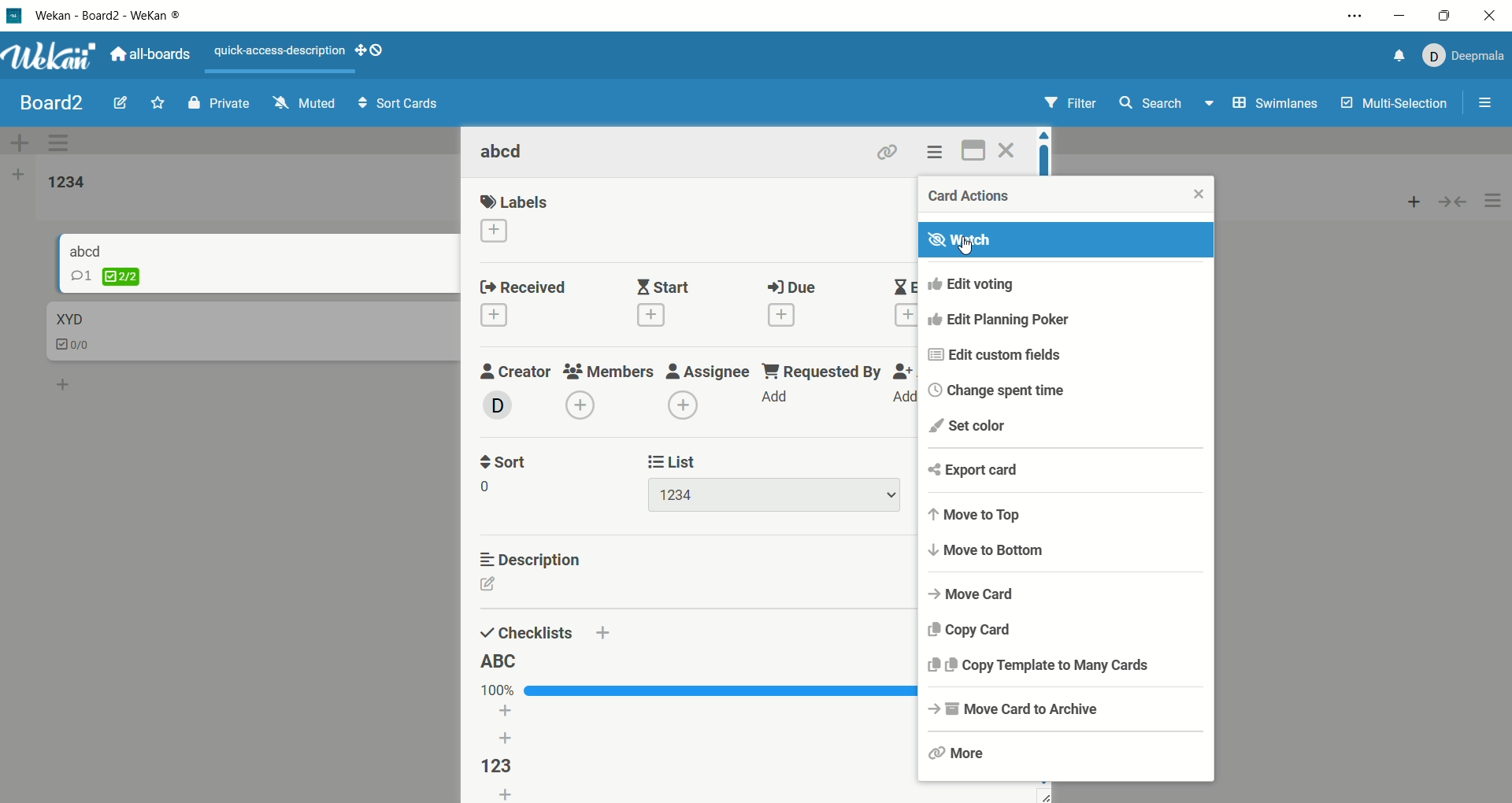  I want to click on account, so click(1466, 57).